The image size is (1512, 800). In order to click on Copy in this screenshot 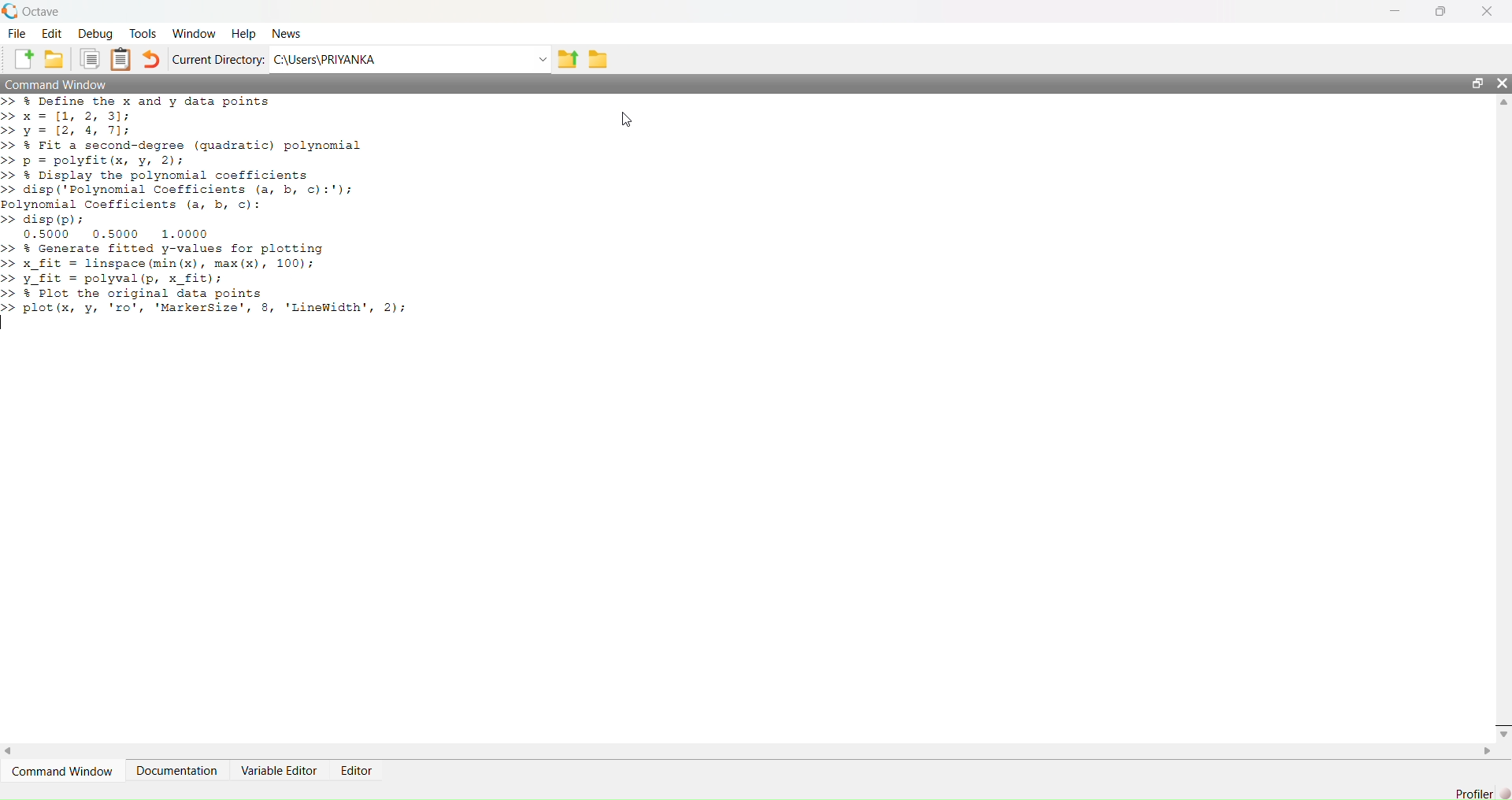, I will do `click(91, 58)`.